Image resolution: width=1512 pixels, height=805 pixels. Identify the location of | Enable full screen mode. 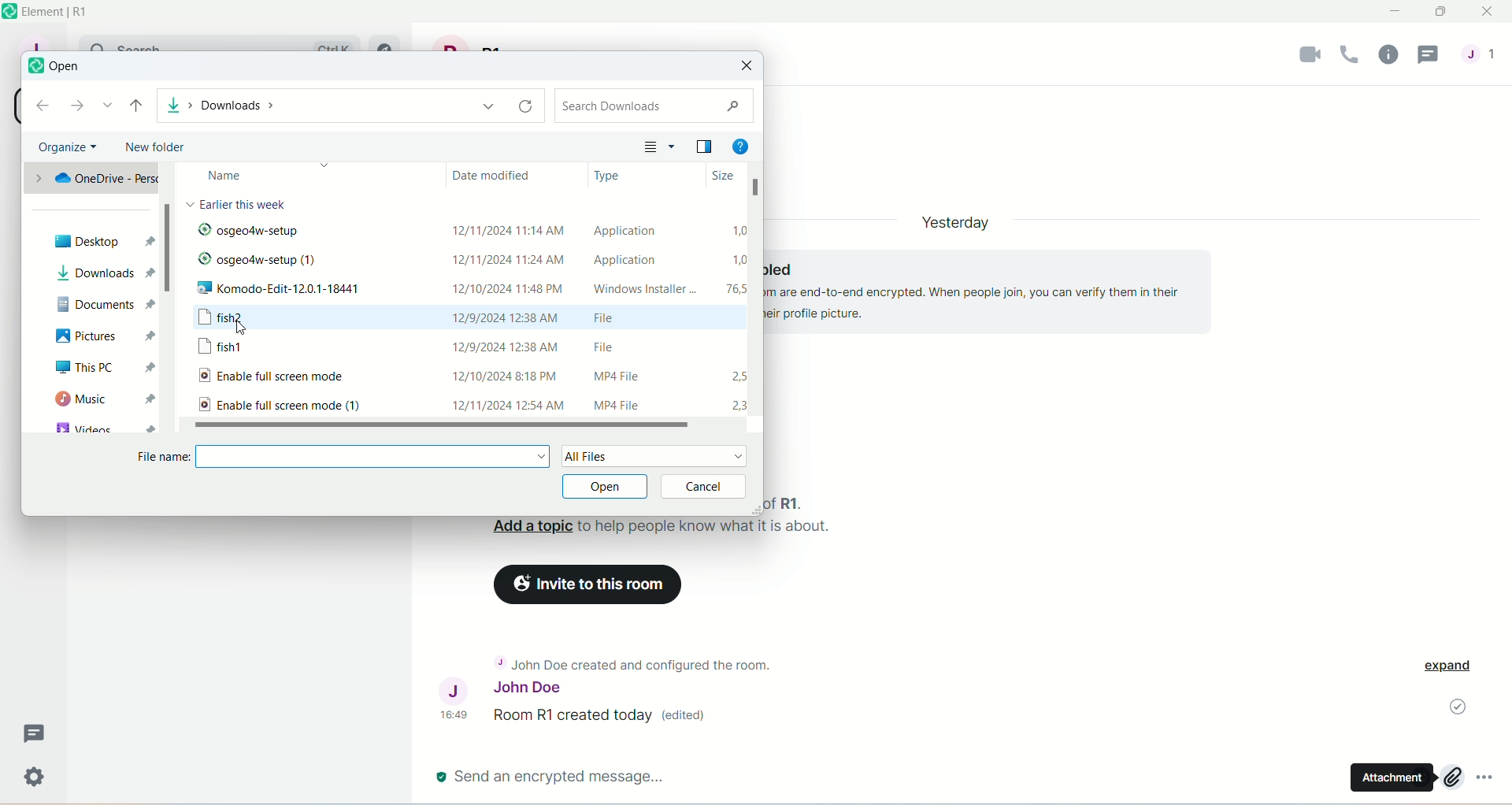
(294, 377).